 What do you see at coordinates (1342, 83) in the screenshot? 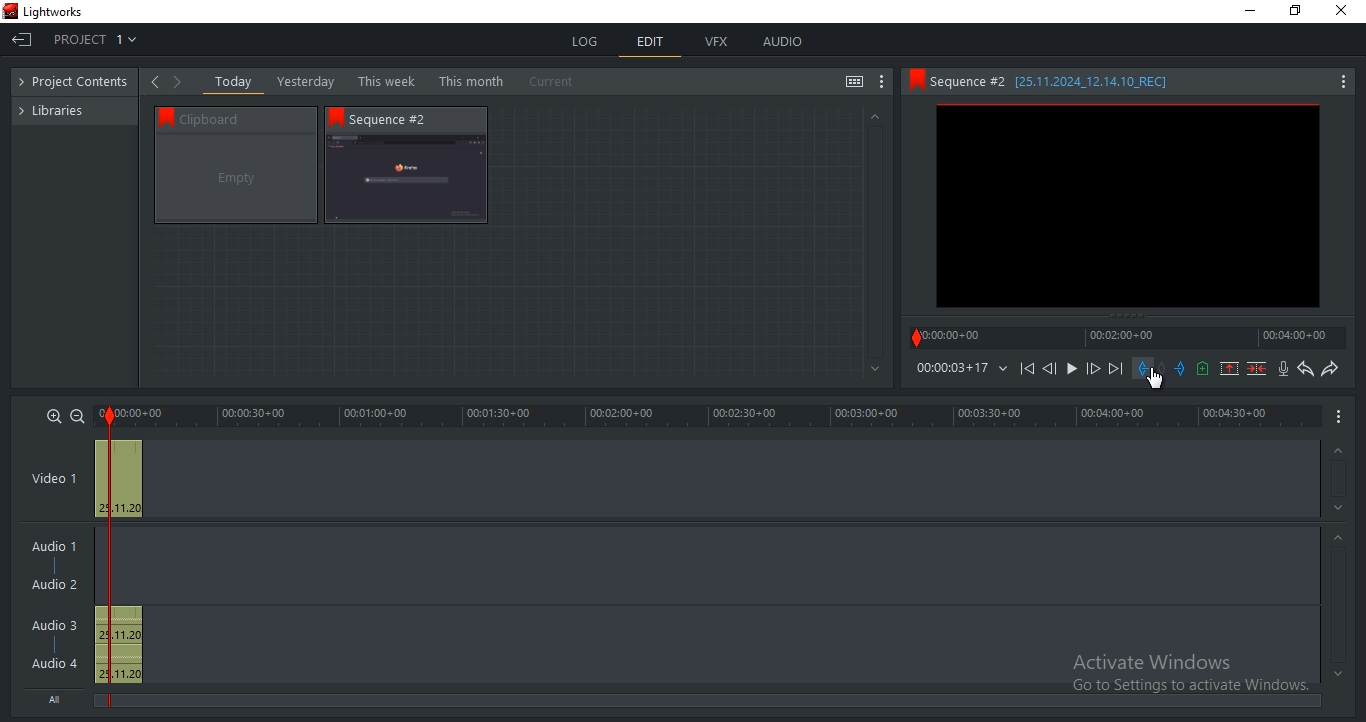
I see `Show settings menu` at bounding box center [1342, 83].